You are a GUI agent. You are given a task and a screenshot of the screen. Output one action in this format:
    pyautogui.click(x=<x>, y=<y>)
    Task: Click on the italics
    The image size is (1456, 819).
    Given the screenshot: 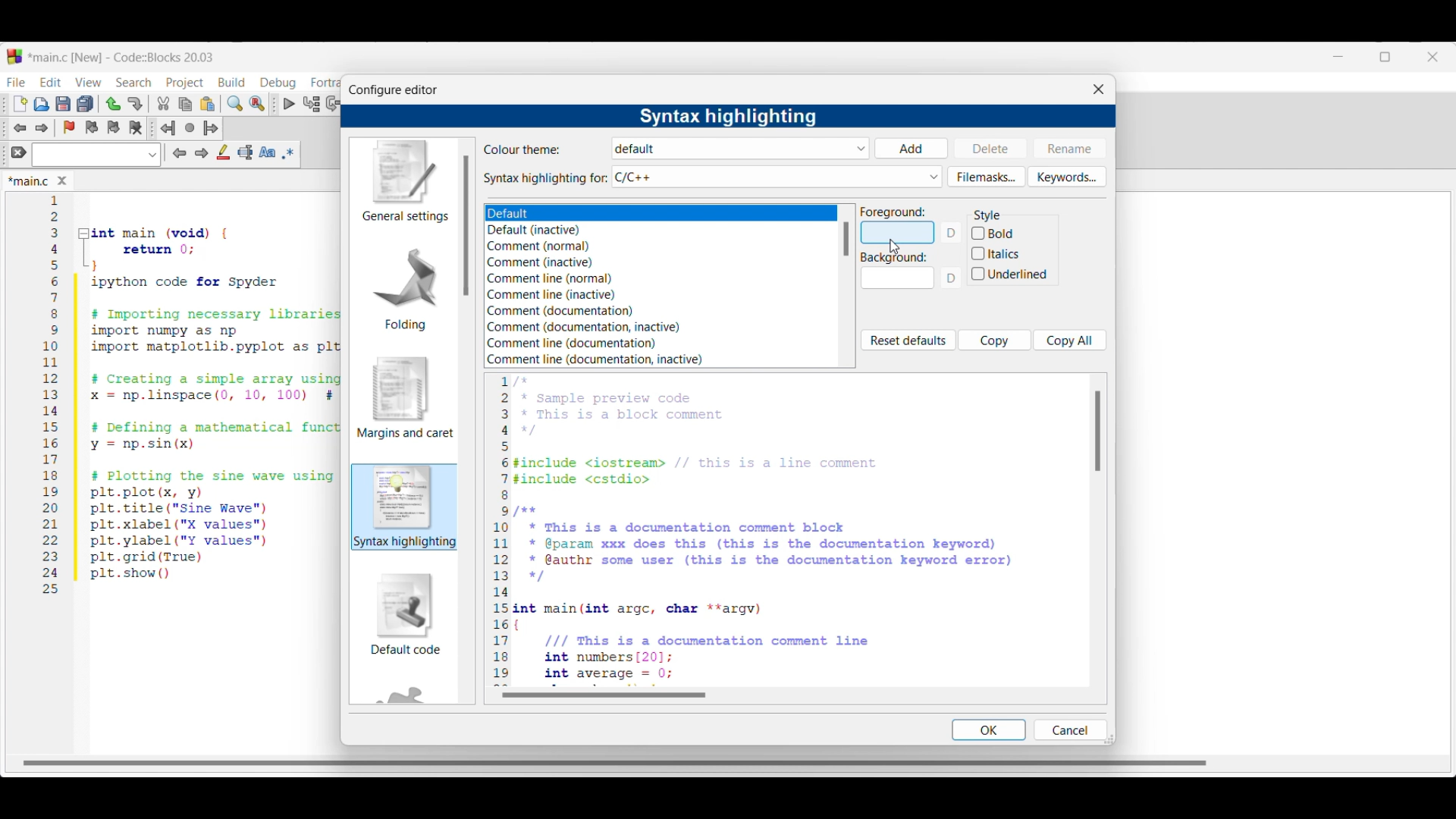 What is the action you would take?
    pyautogui.click(x=996, y=253)
    